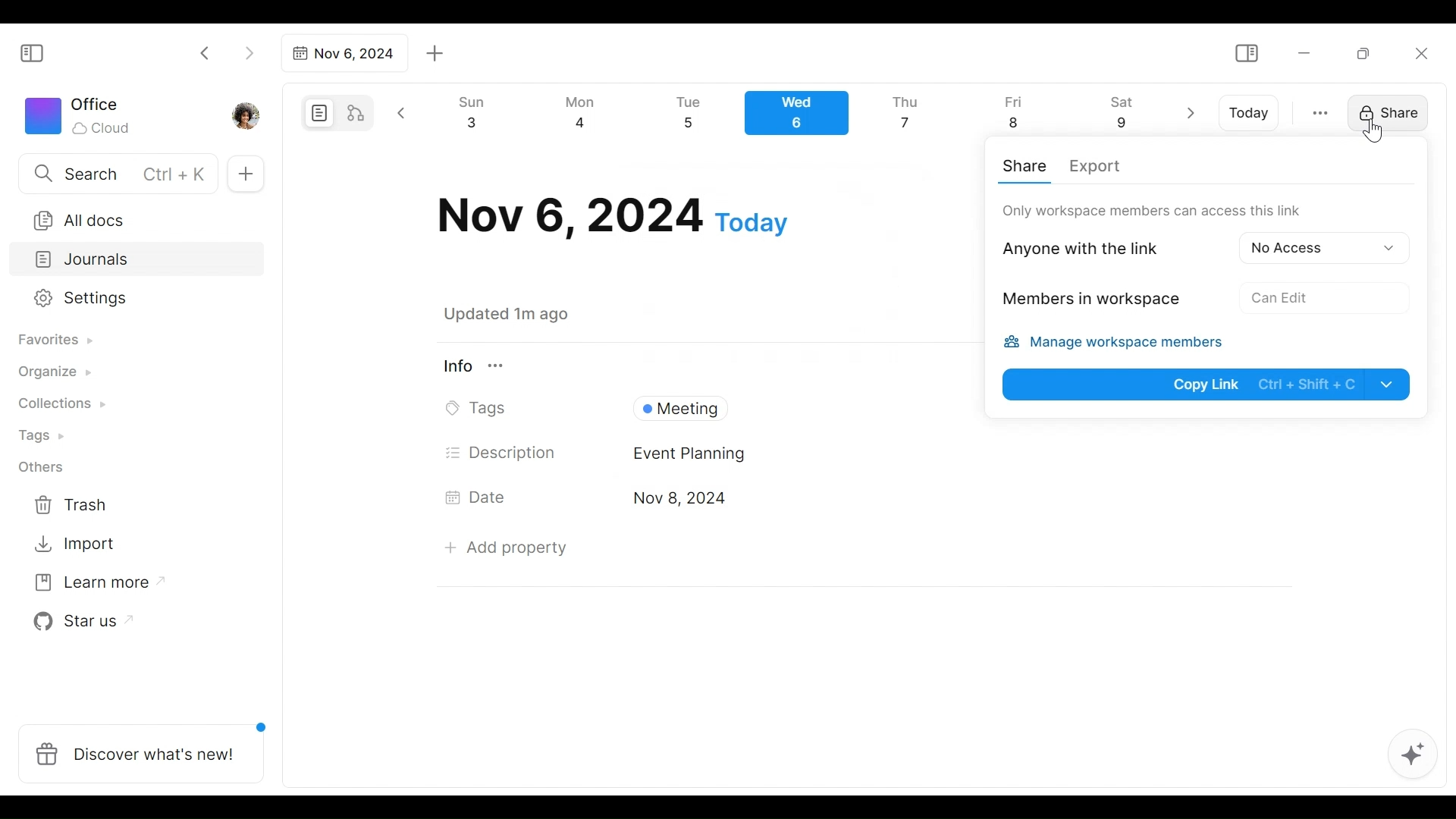 Image resolution: width=1456 pixels, height=819 pixels. I want to click on Organize, so click(53, 373).